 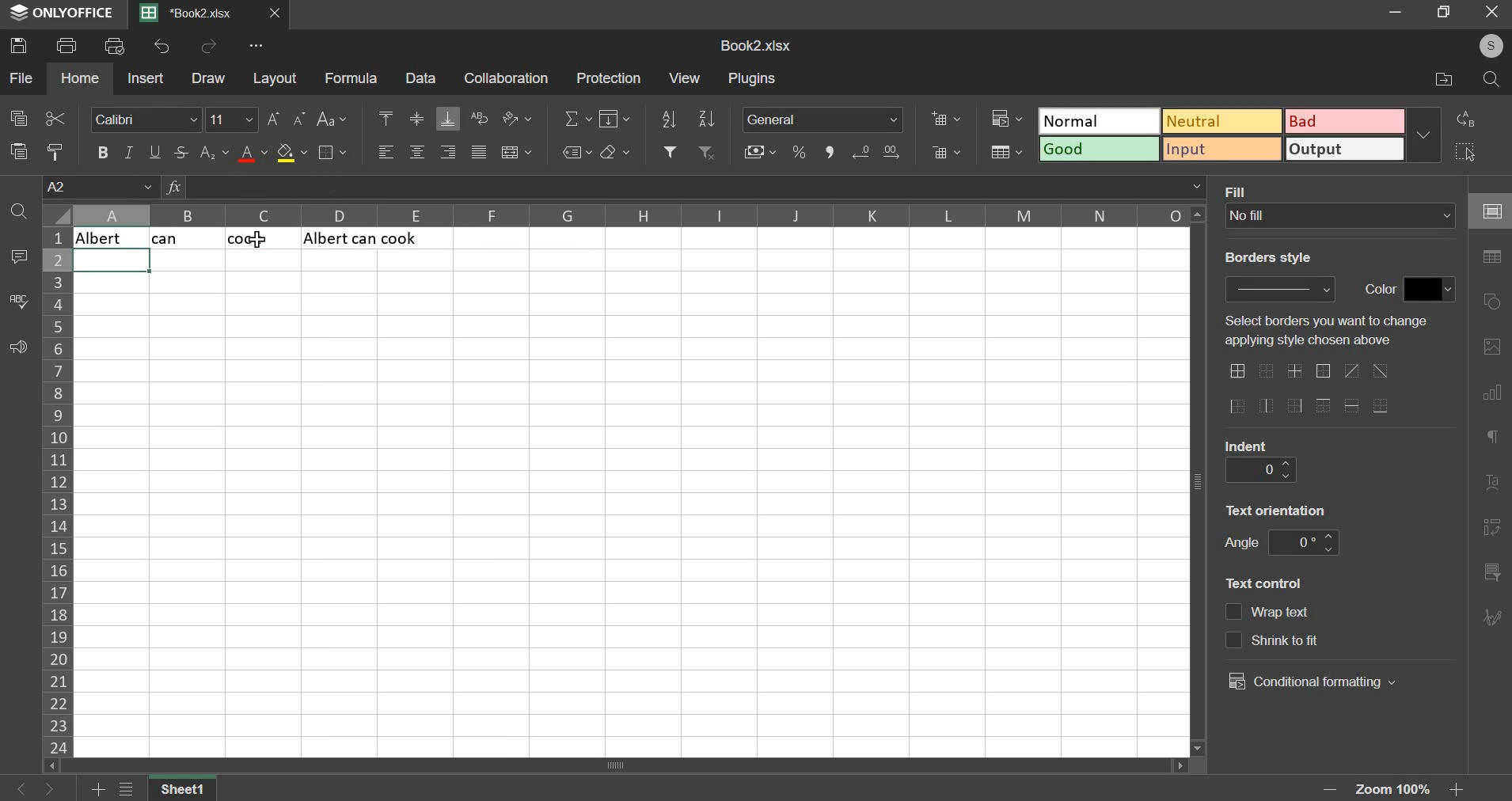 I want to click on close, so click(x=279, y=15).